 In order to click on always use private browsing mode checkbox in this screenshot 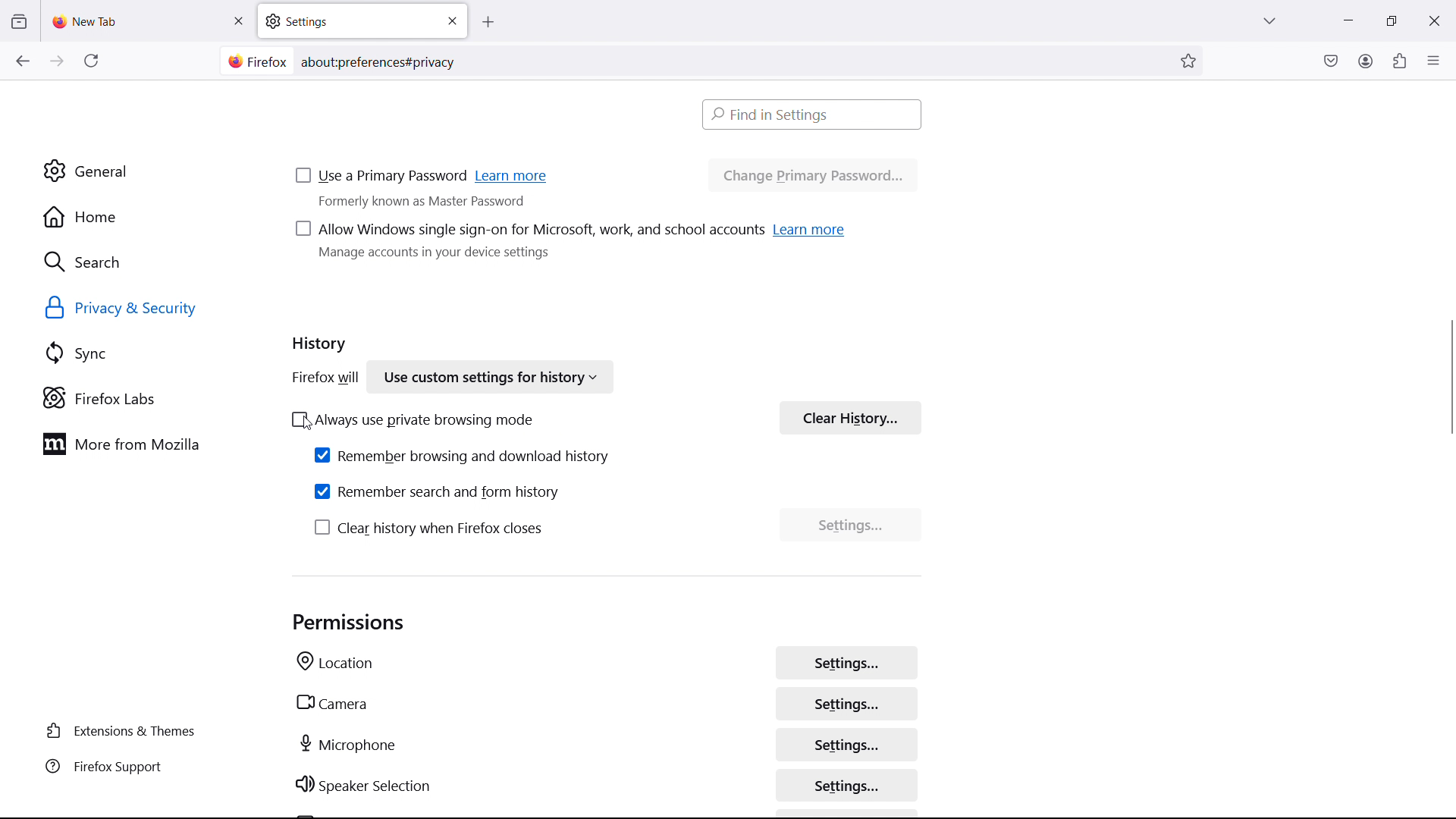, I will do `click(408, 419)`.